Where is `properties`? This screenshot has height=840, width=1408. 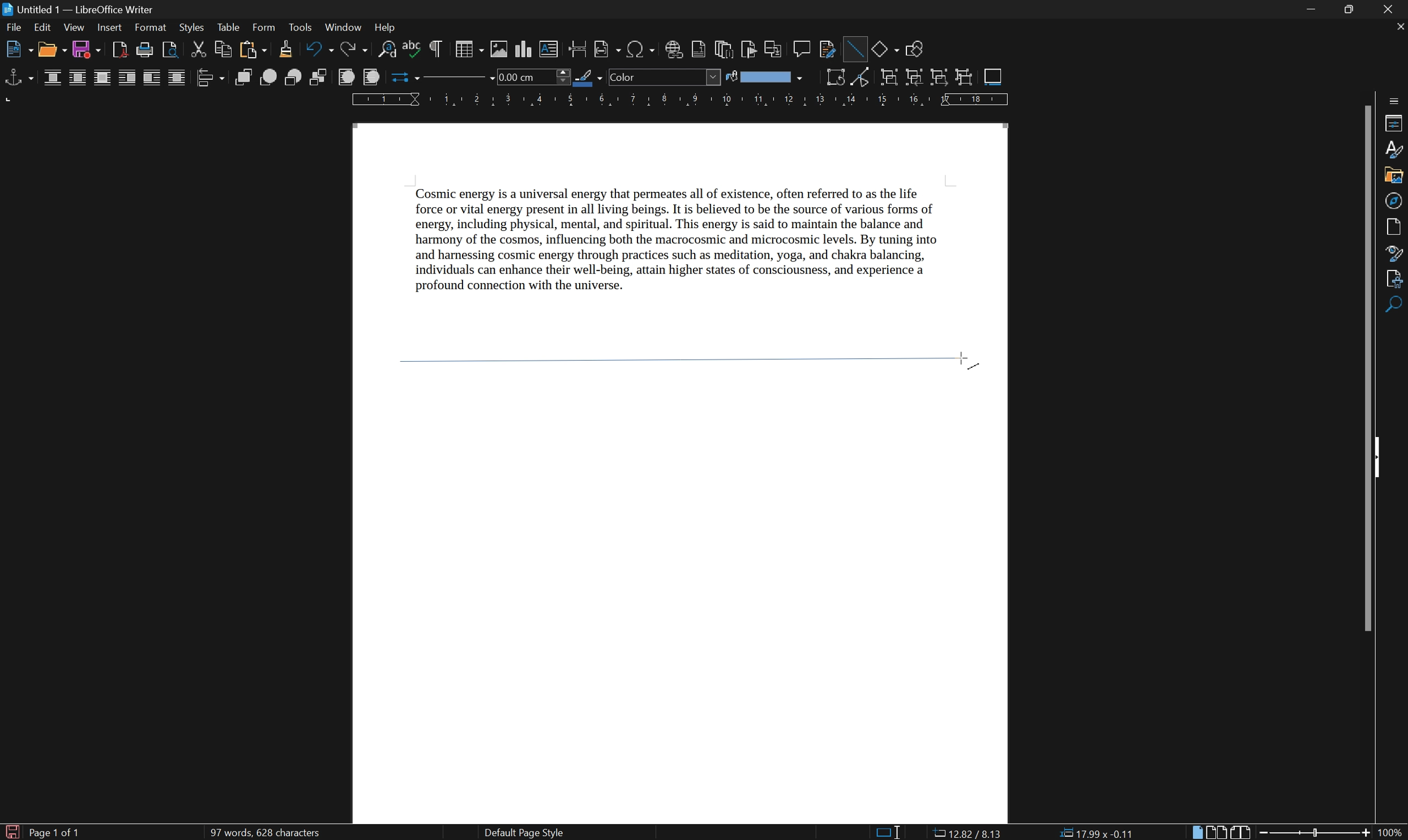
properties is located at coordinates (1394, 123).